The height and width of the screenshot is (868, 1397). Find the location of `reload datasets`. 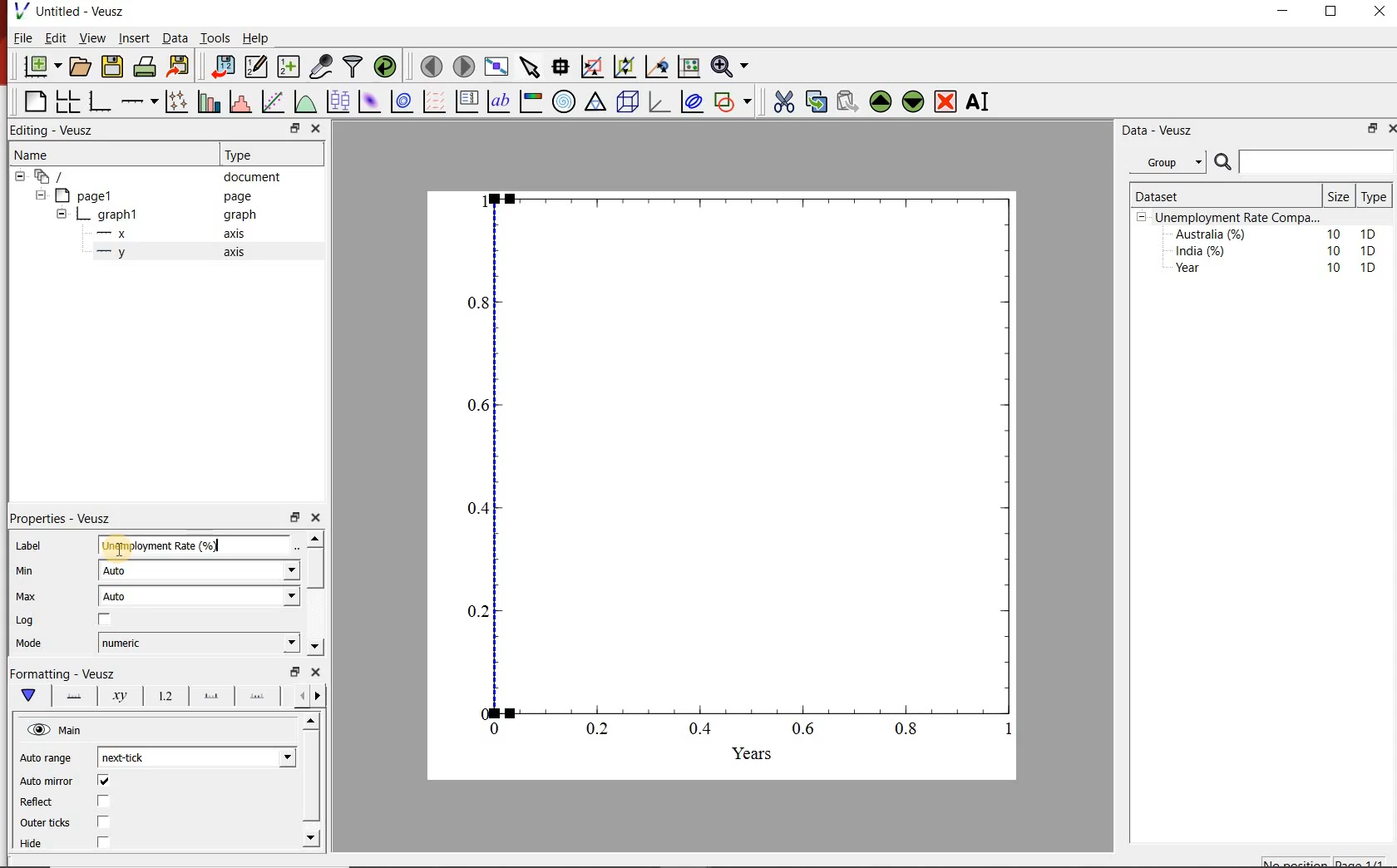

reload datasets is located at coordinates (386, 66).